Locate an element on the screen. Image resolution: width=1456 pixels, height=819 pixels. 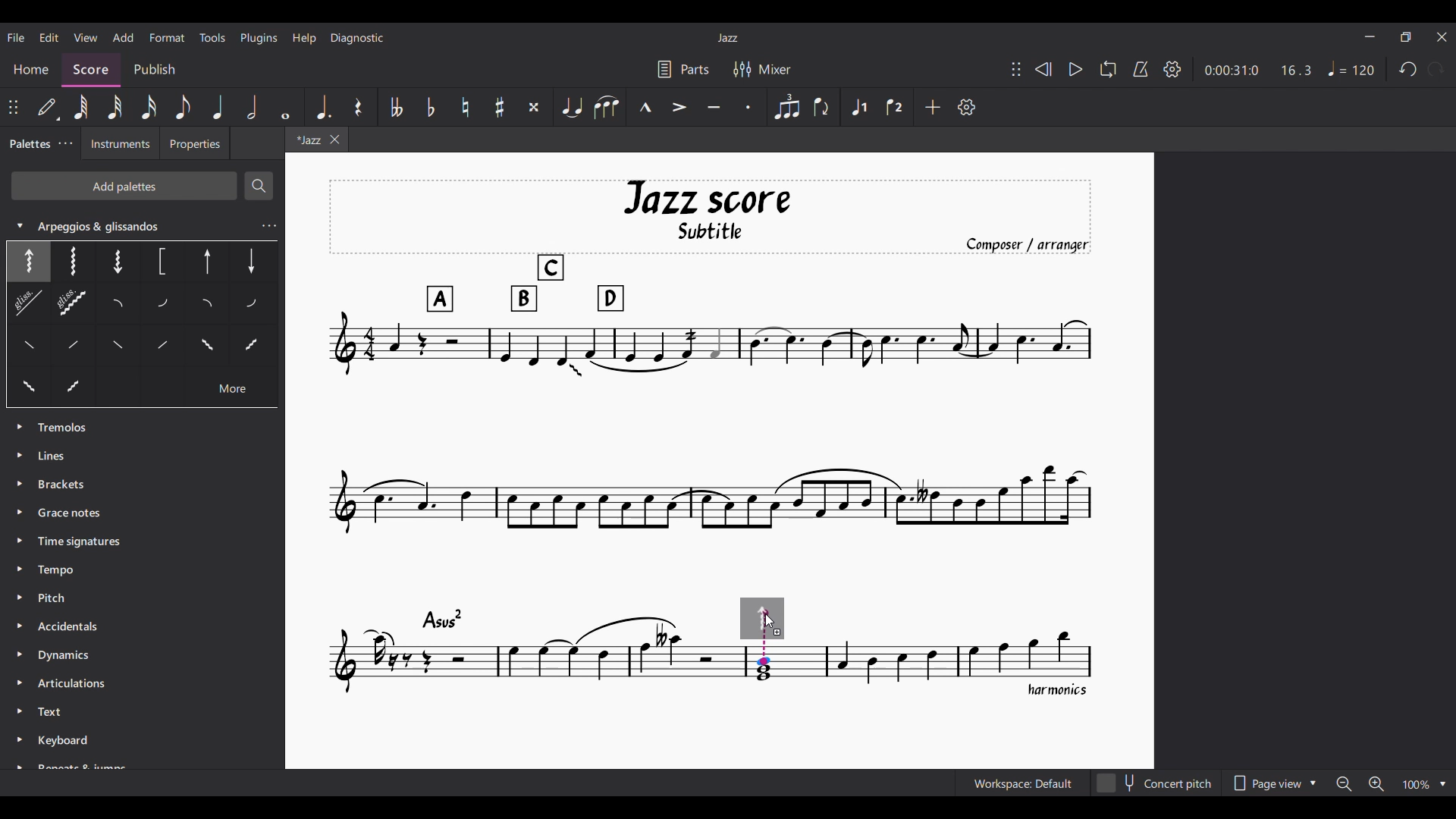
Toggle natural is located at coordinates (466, 107).